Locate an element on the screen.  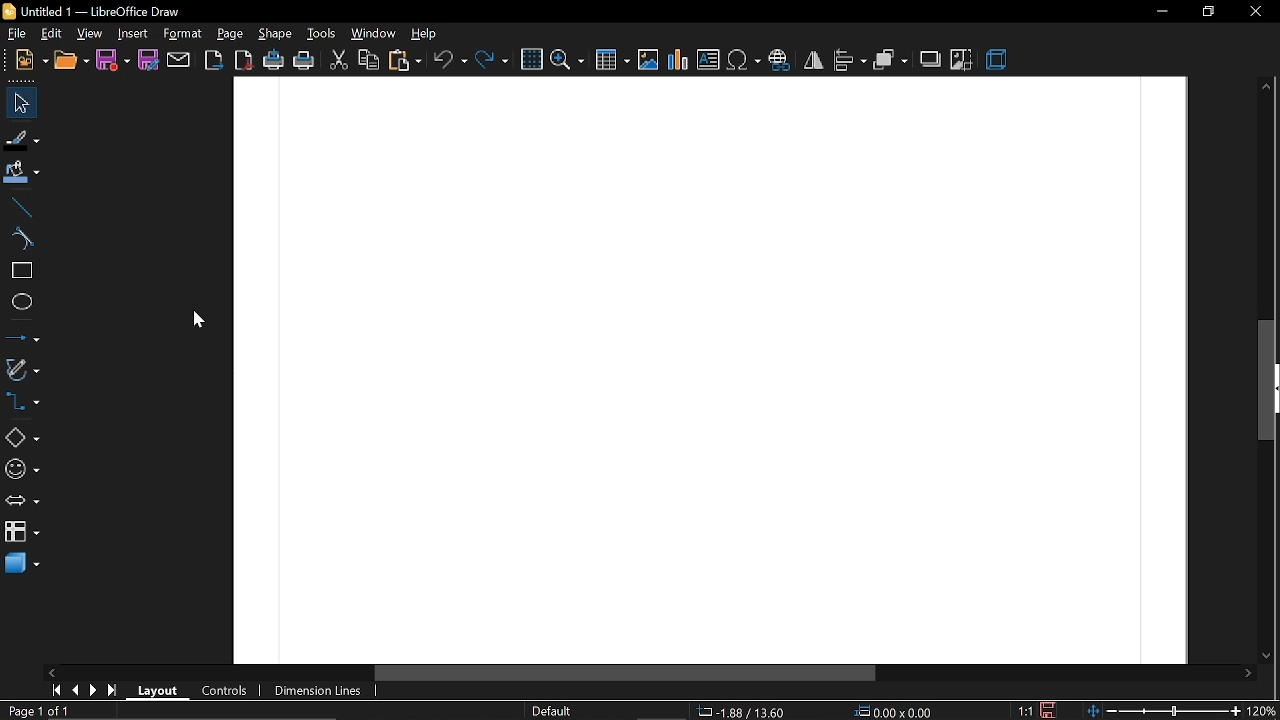
view is located at coordinates (88, 34).